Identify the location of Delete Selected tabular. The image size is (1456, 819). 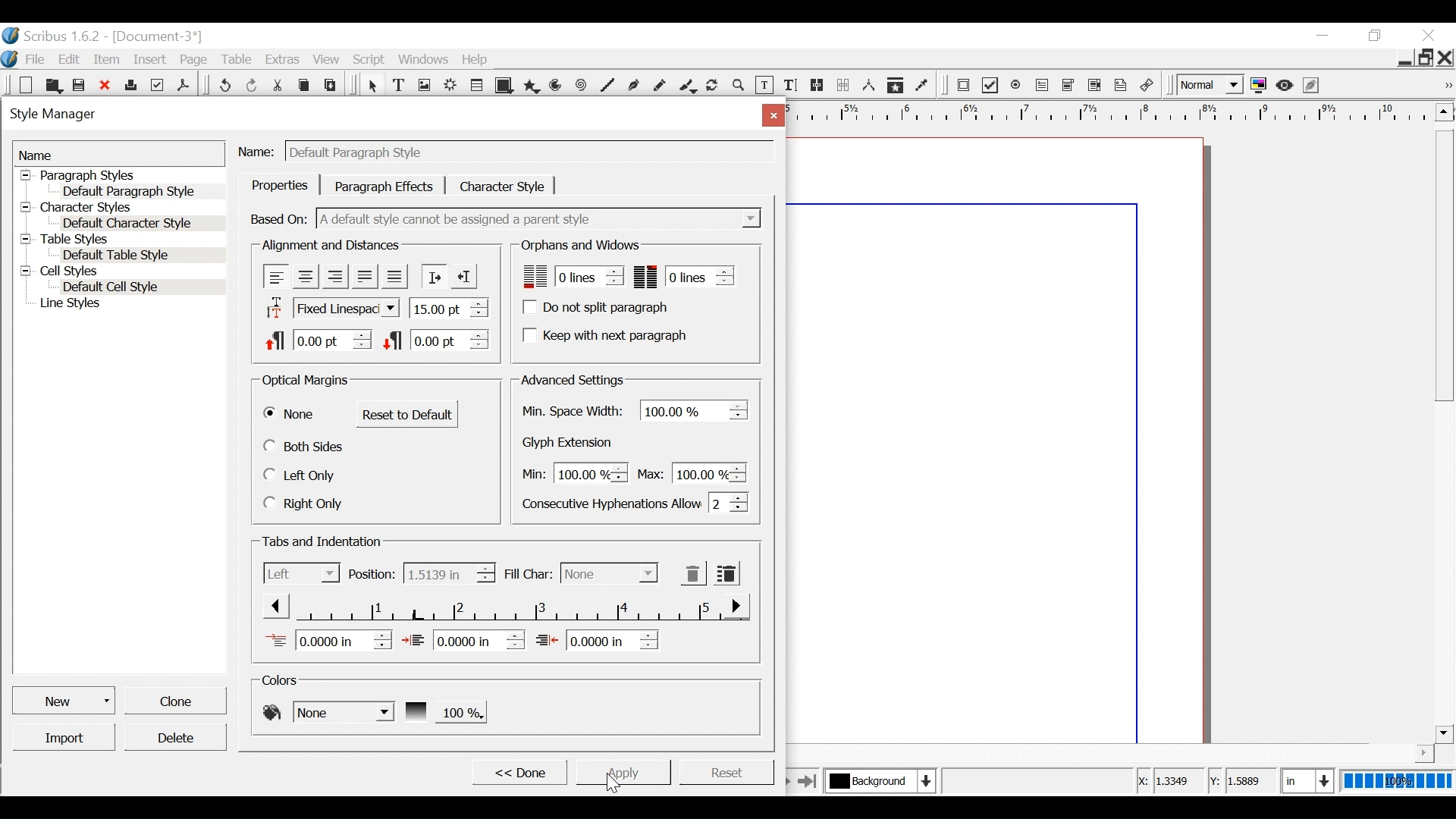
(693, 573).